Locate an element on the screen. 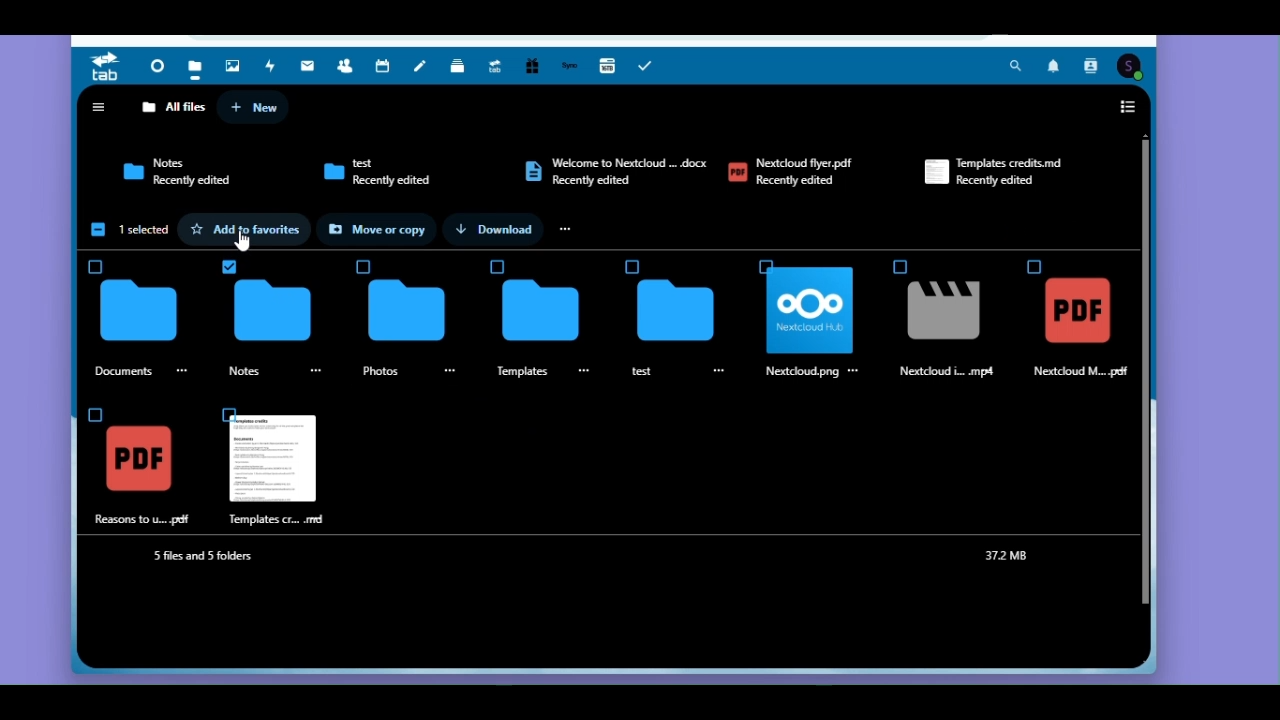 This screenshot has height=720, width=1280. Notes is located at coordinates (246, 370).